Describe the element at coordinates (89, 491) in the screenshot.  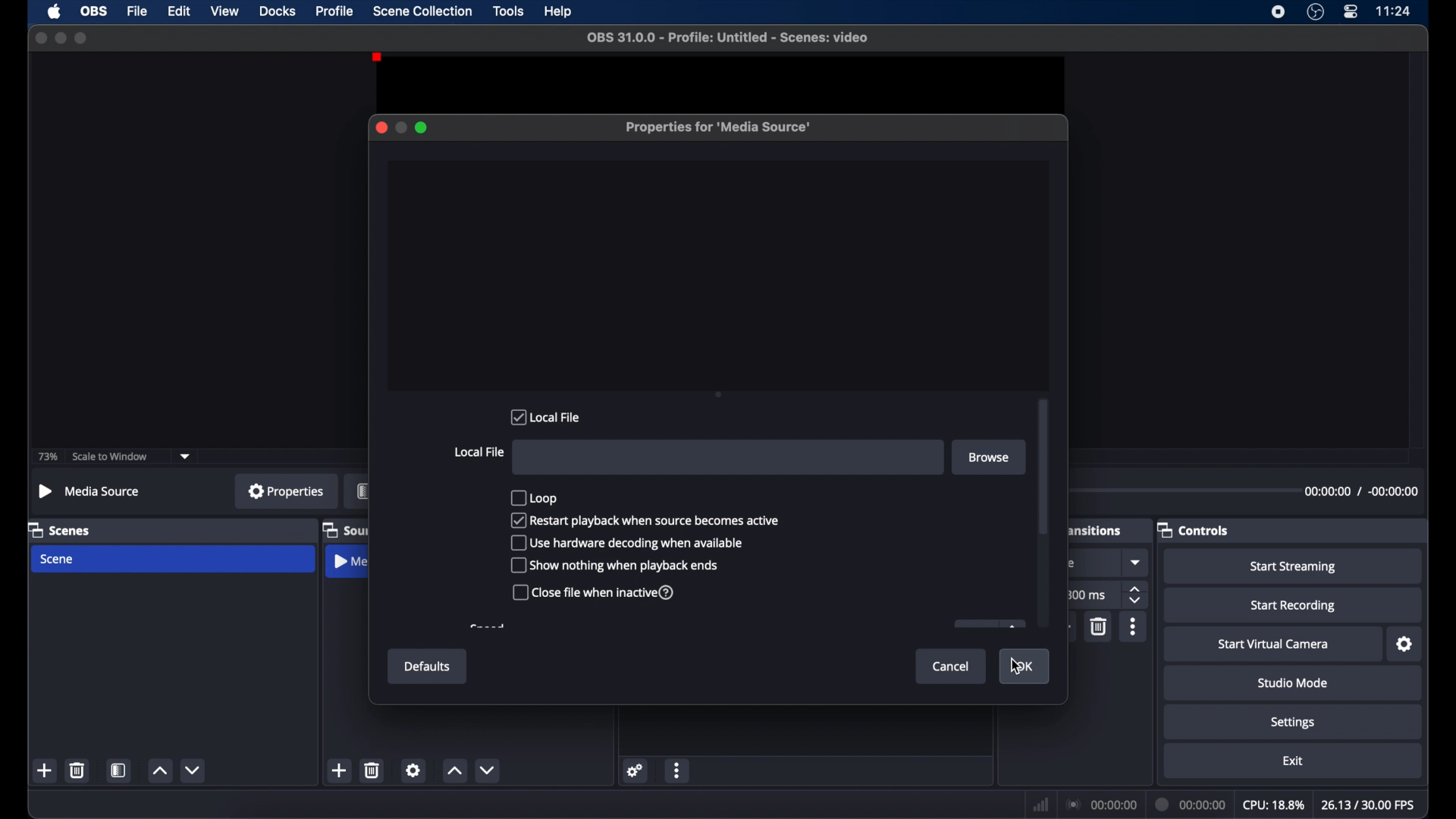
I see `no source selected` at that location.